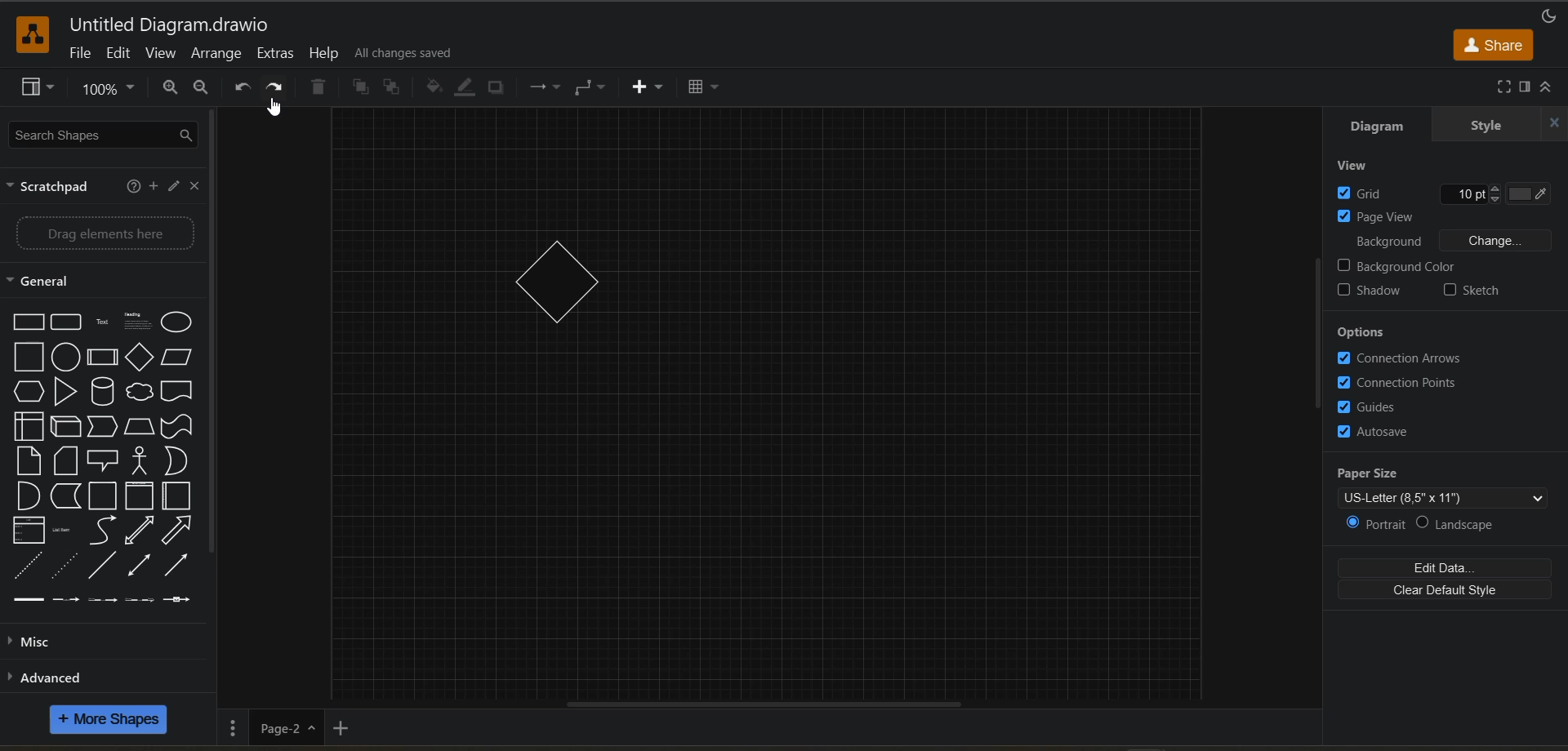 Image resolution: width=1568 pixels, height=751 pixels. I want to click on page name, so click(285, 727).